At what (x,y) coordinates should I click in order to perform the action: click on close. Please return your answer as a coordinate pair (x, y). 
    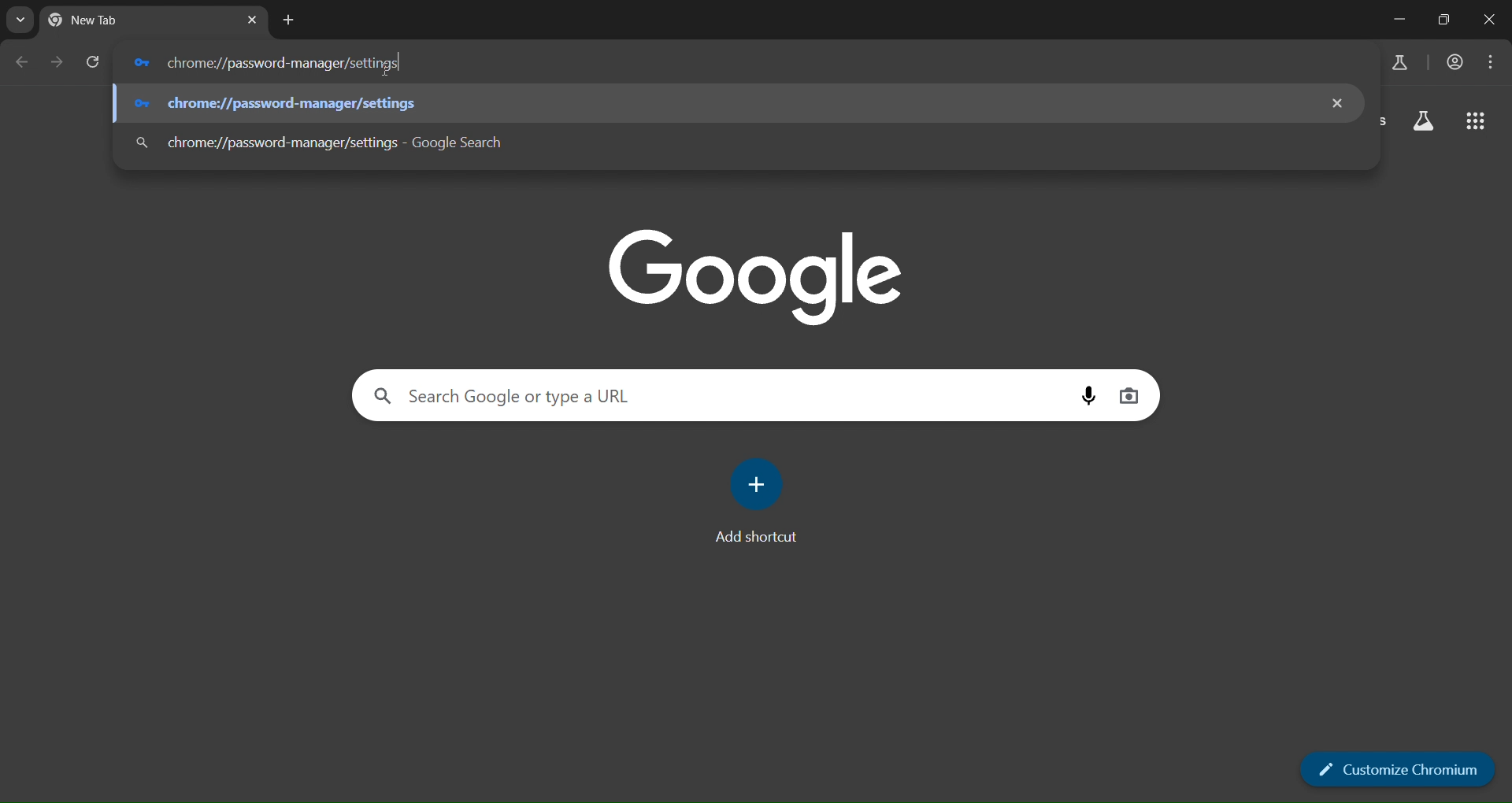
    Looking at the image, I should click on (1340, 104).